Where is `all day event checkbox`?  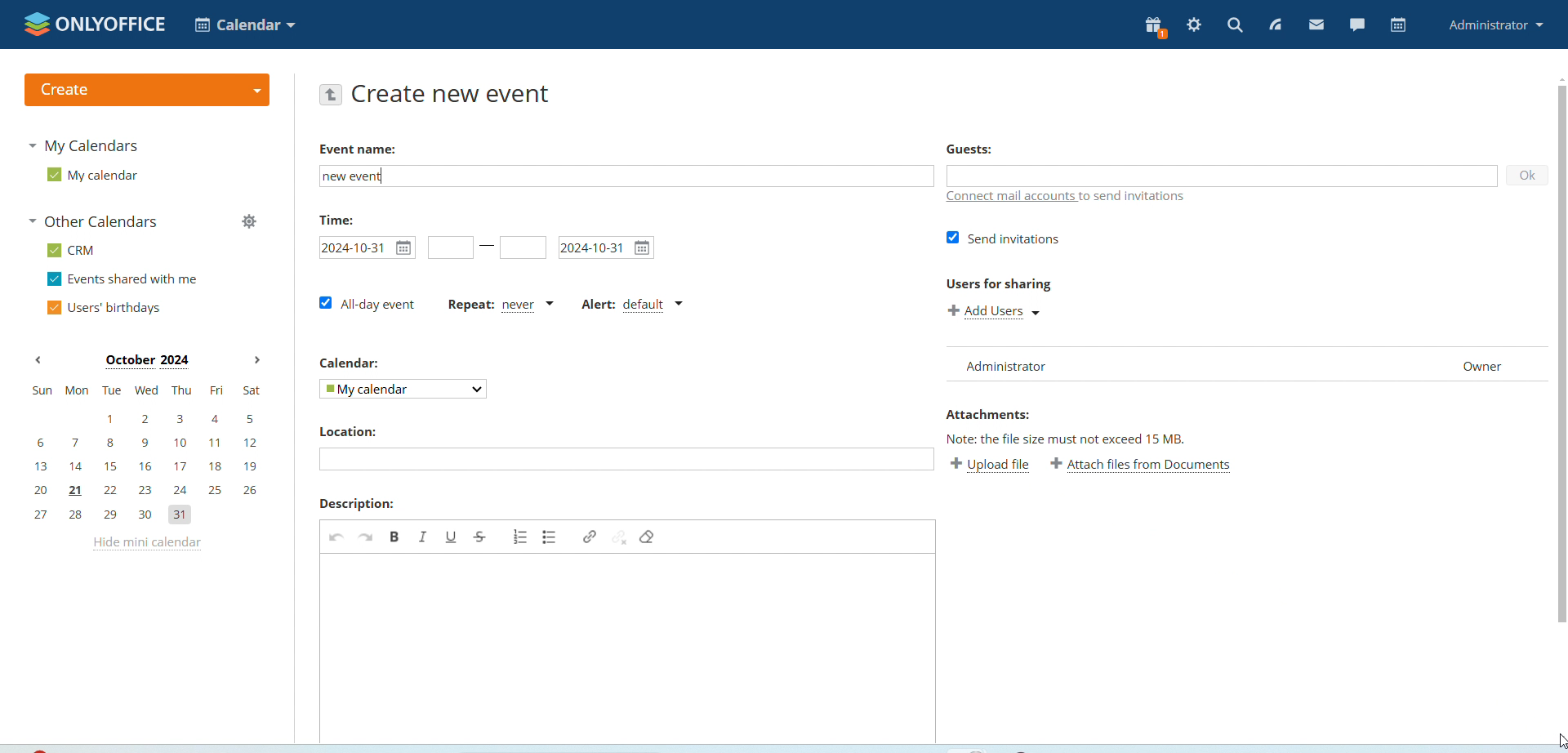
all day event checkbox is located at coordinates (365, 305).